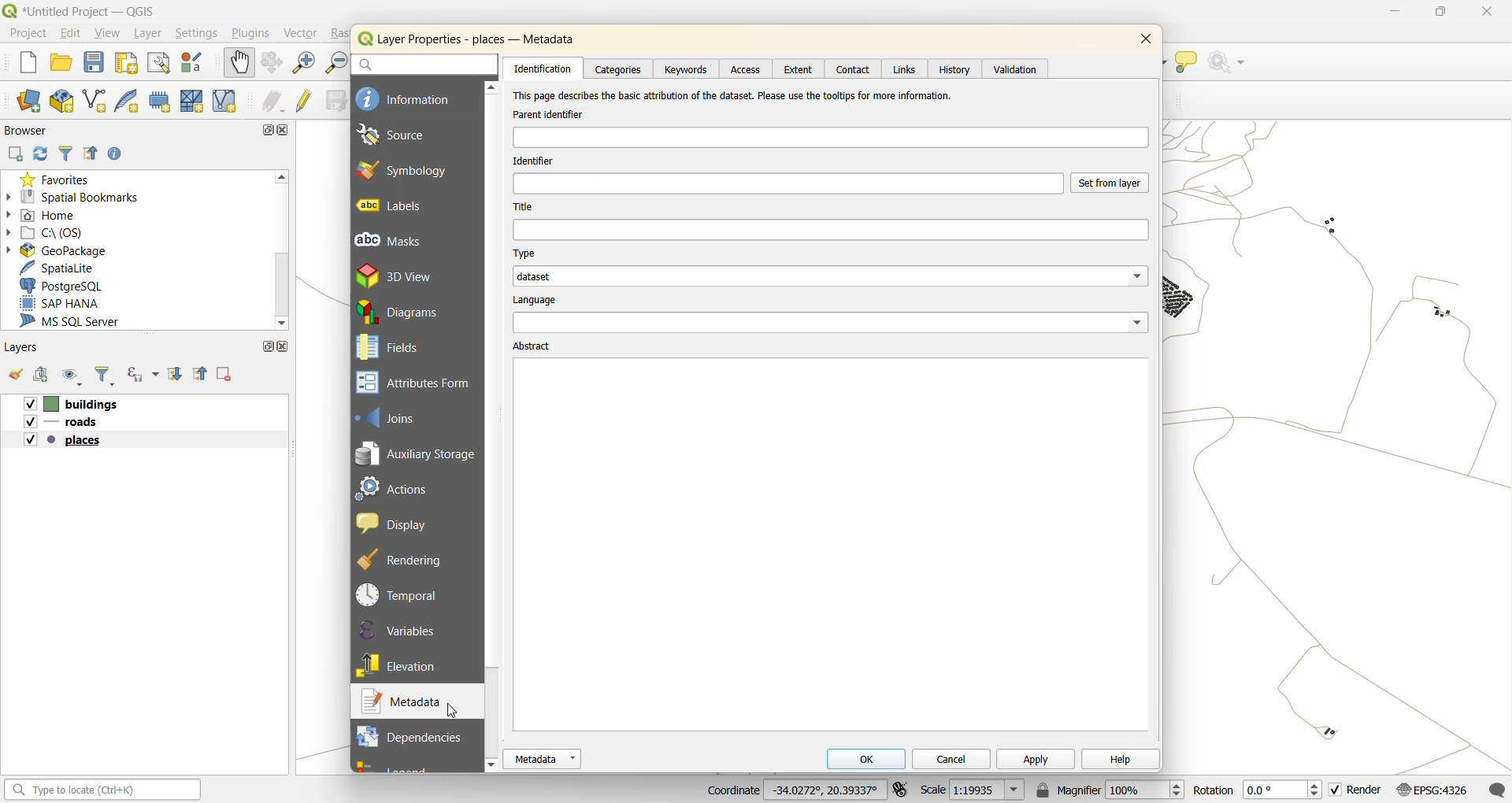  Describe the element at coordinates (253, 32) in the screenshot. I see `plugins` at that location.